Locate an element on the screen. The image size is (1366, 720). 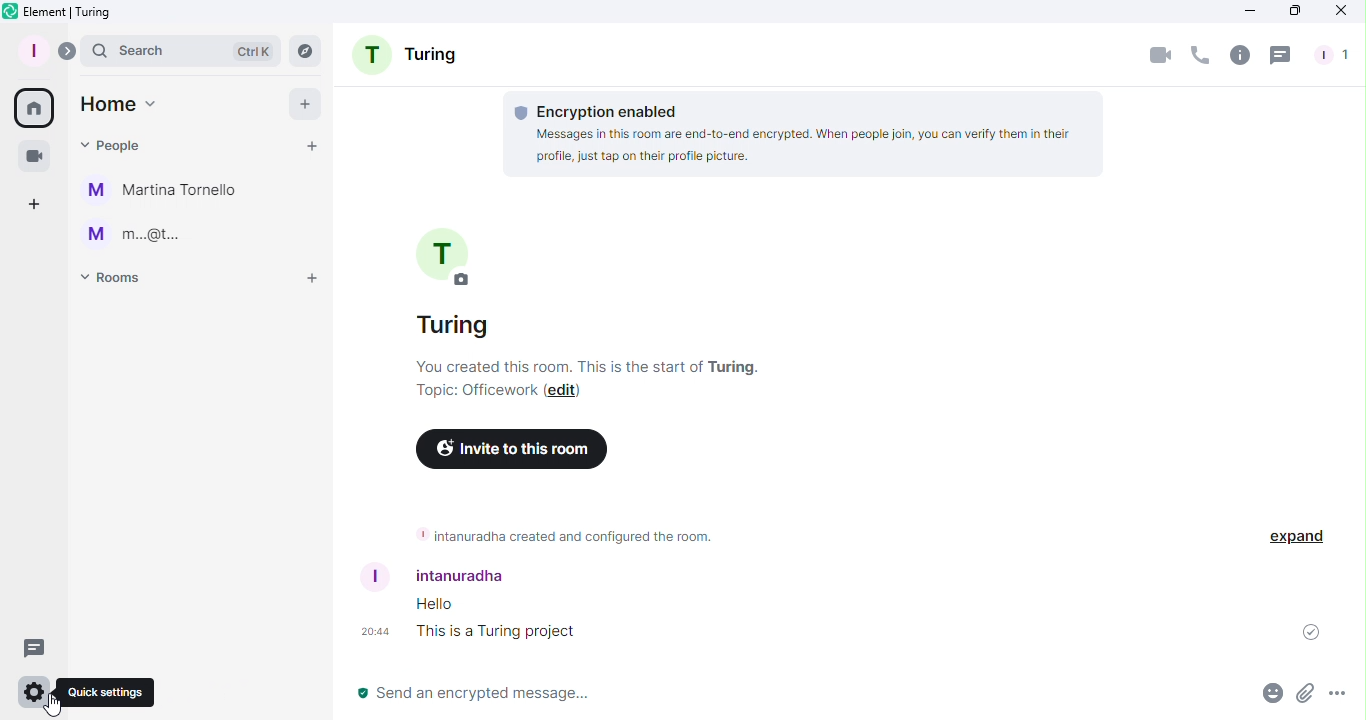
Create a space is located at coordinates (36, 202).